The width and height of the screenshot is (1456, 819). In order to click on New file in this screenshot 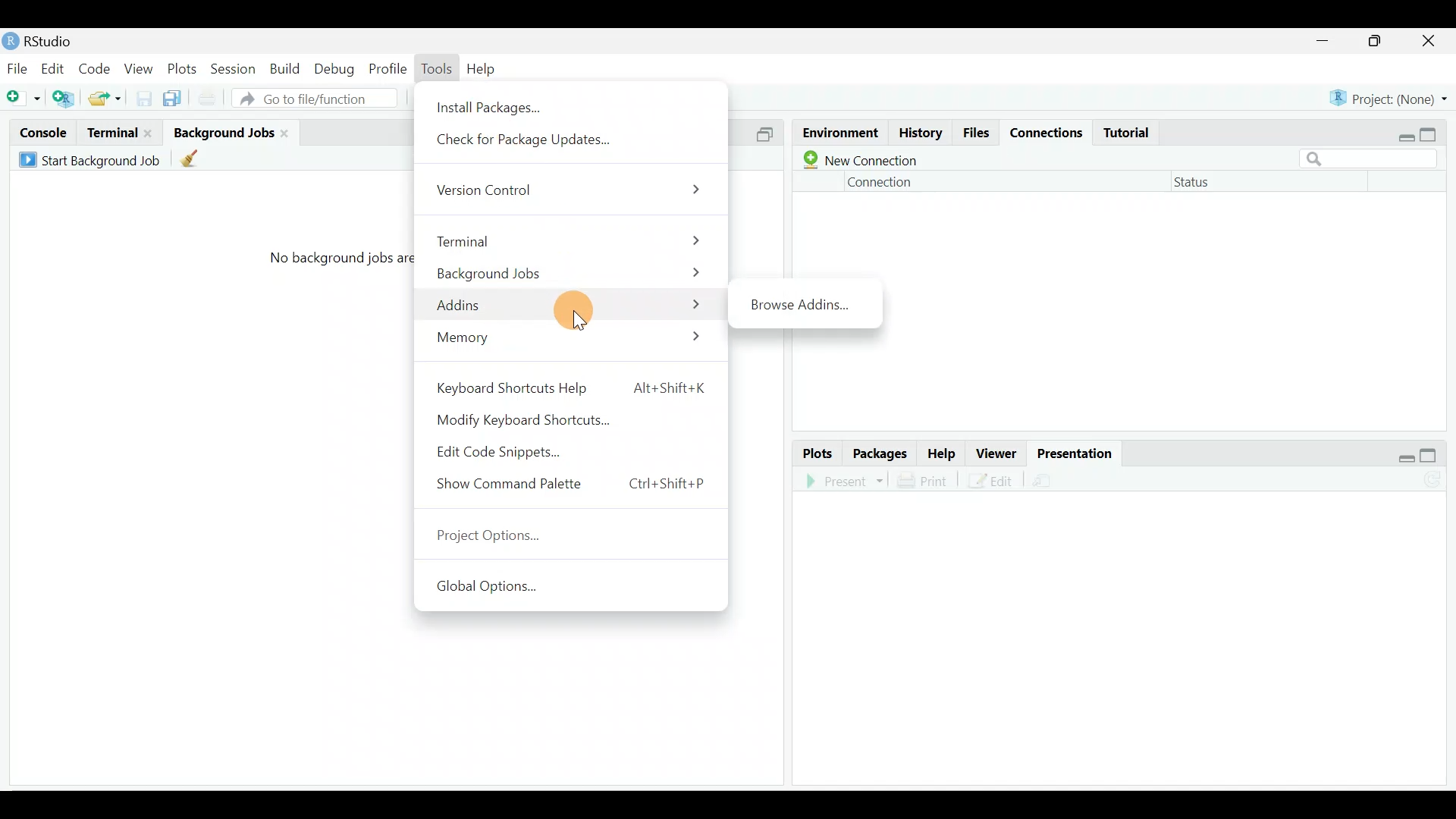, I will do `click(24, 99)`.